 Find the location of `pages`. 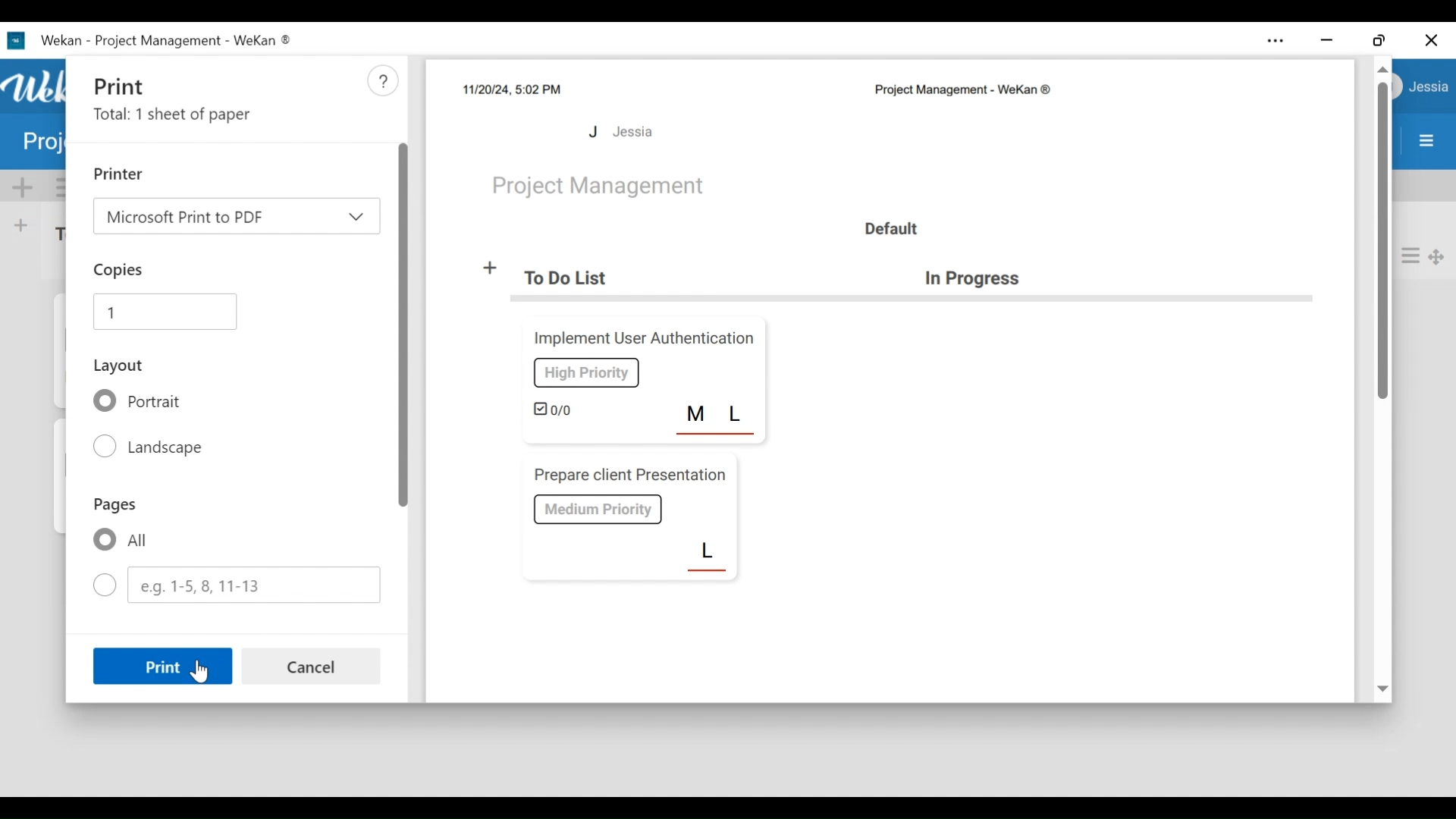

pages is located at coordinates (113, 507).